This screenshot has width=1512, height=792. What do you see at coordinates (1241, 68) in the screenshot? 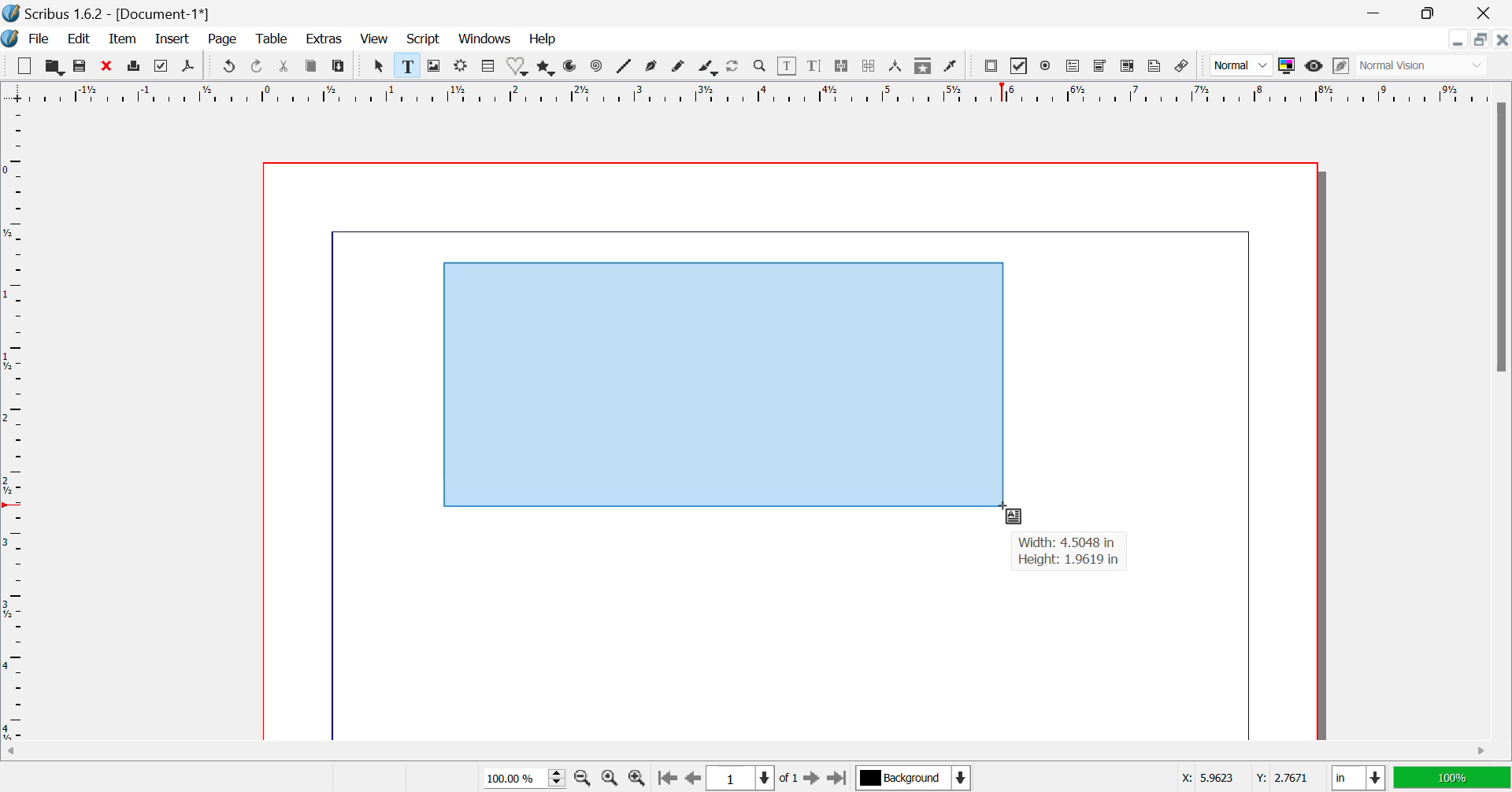
I see `Normal` at bounding box center [1241, 68].